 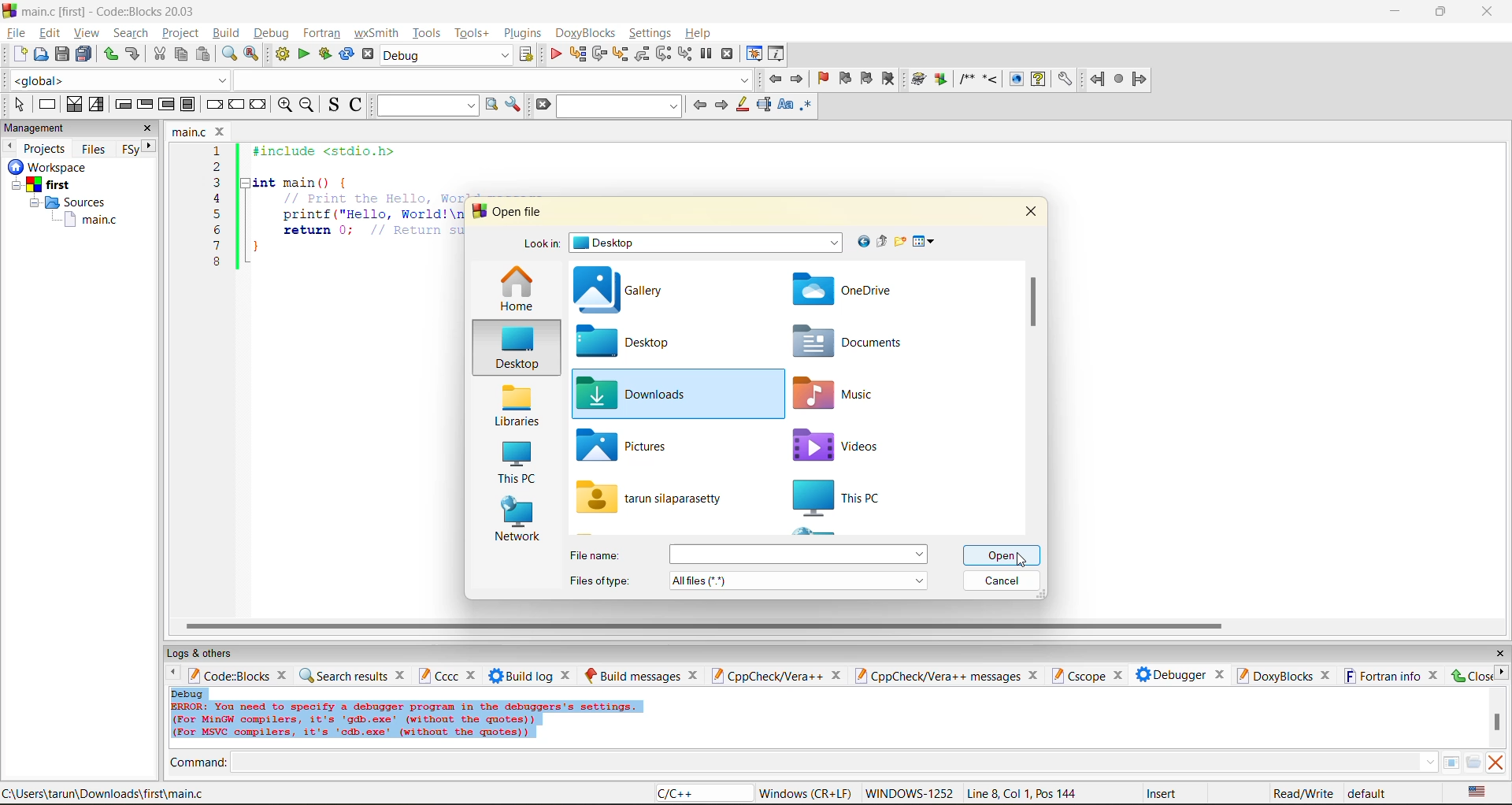 What do you see at coordinates (1478, 792) in the screenshot?
I see `text language` at bounding box center [1478, 792].